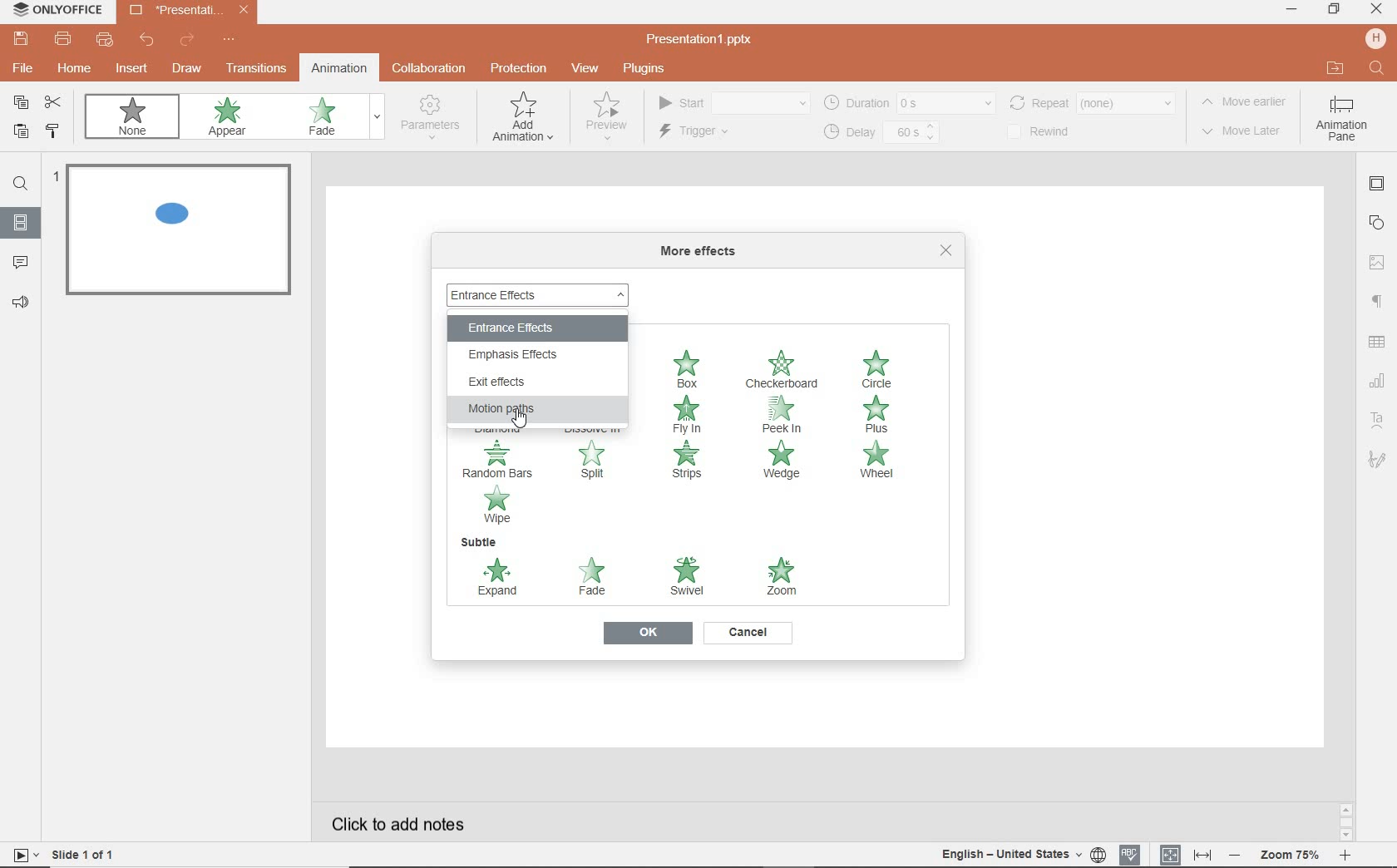 This screenshot has height=868, width=1397. Describe the element at coordinates (148, 42) in the screenshot. I see `undo` at that location.